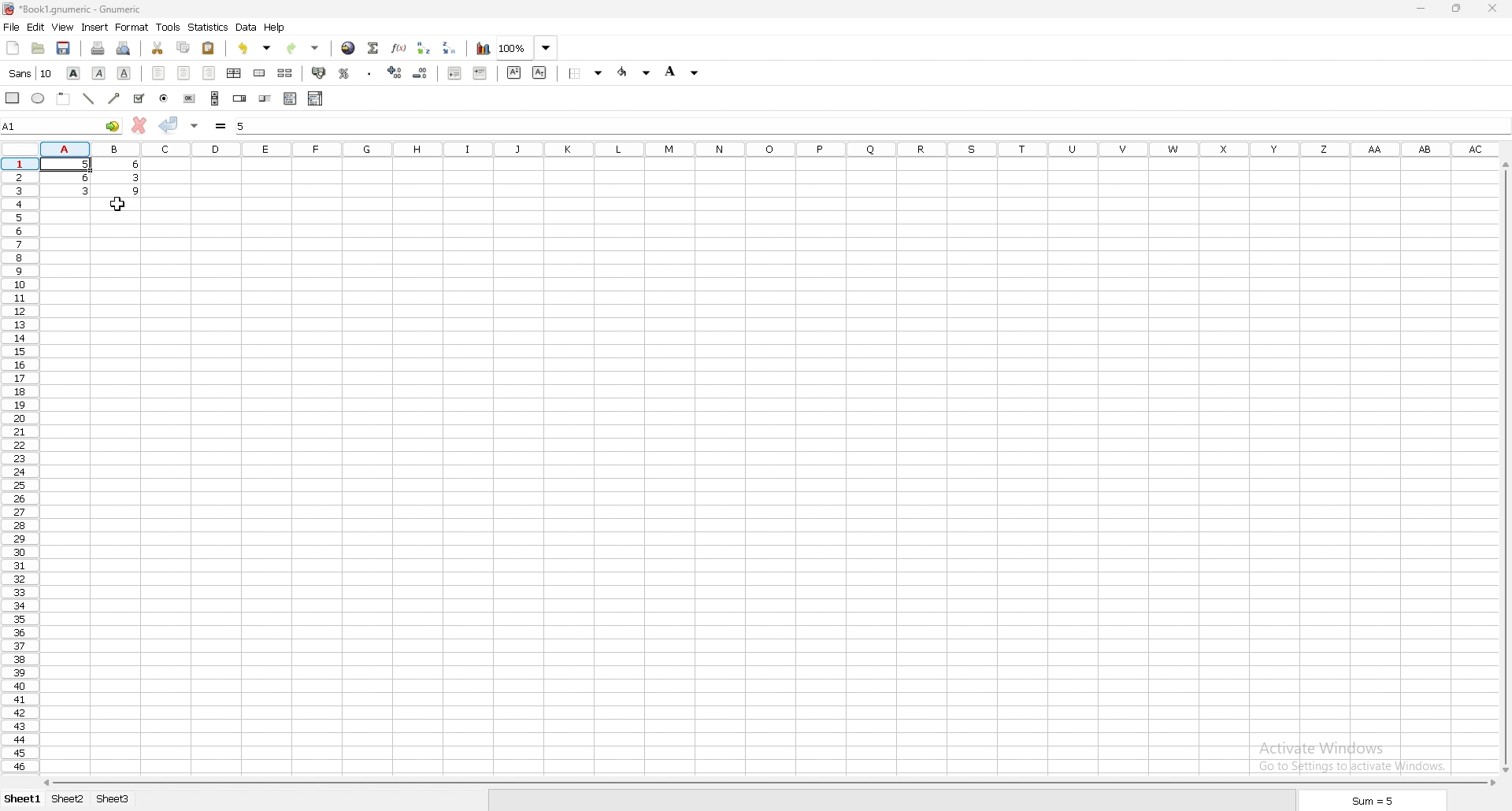  Describe the element at coordinates (370, 72) in the screenshot. I see `thousand separator` at that location.